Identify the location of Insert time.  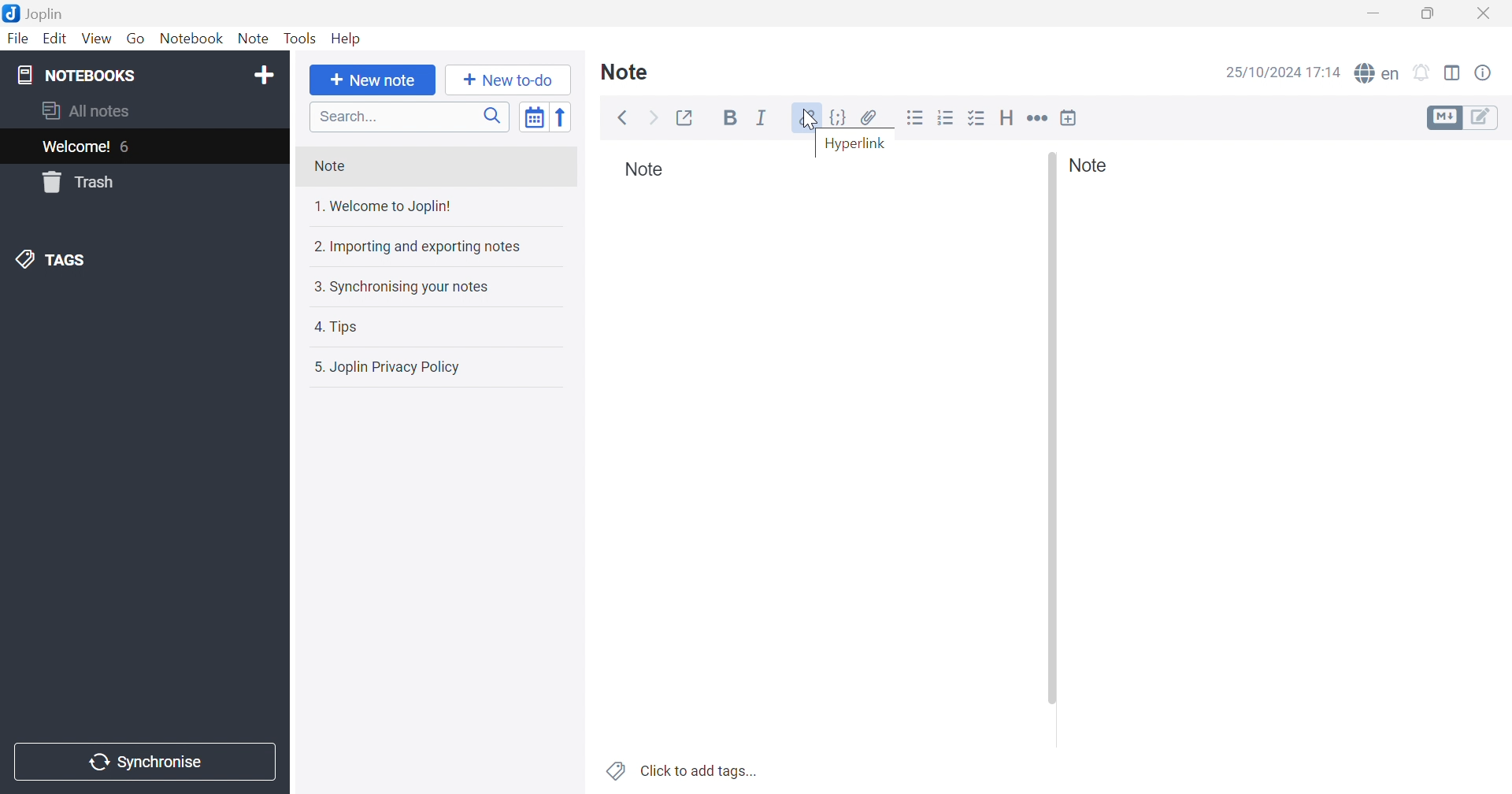
(1069, 117).